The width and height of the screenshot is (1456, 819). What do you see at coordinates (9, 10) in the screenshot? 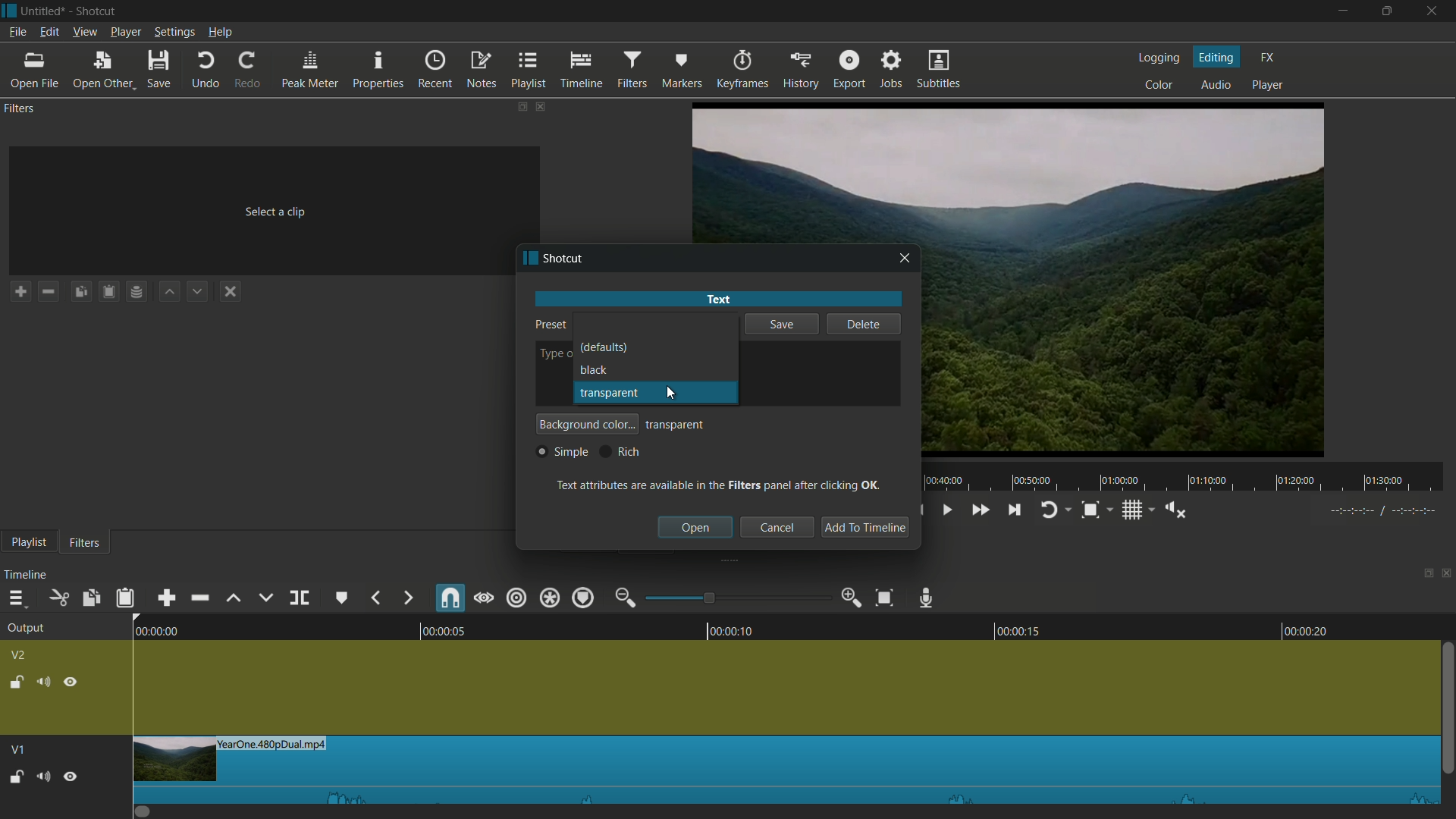
I see `app icon` at bounding box center [9, 10].